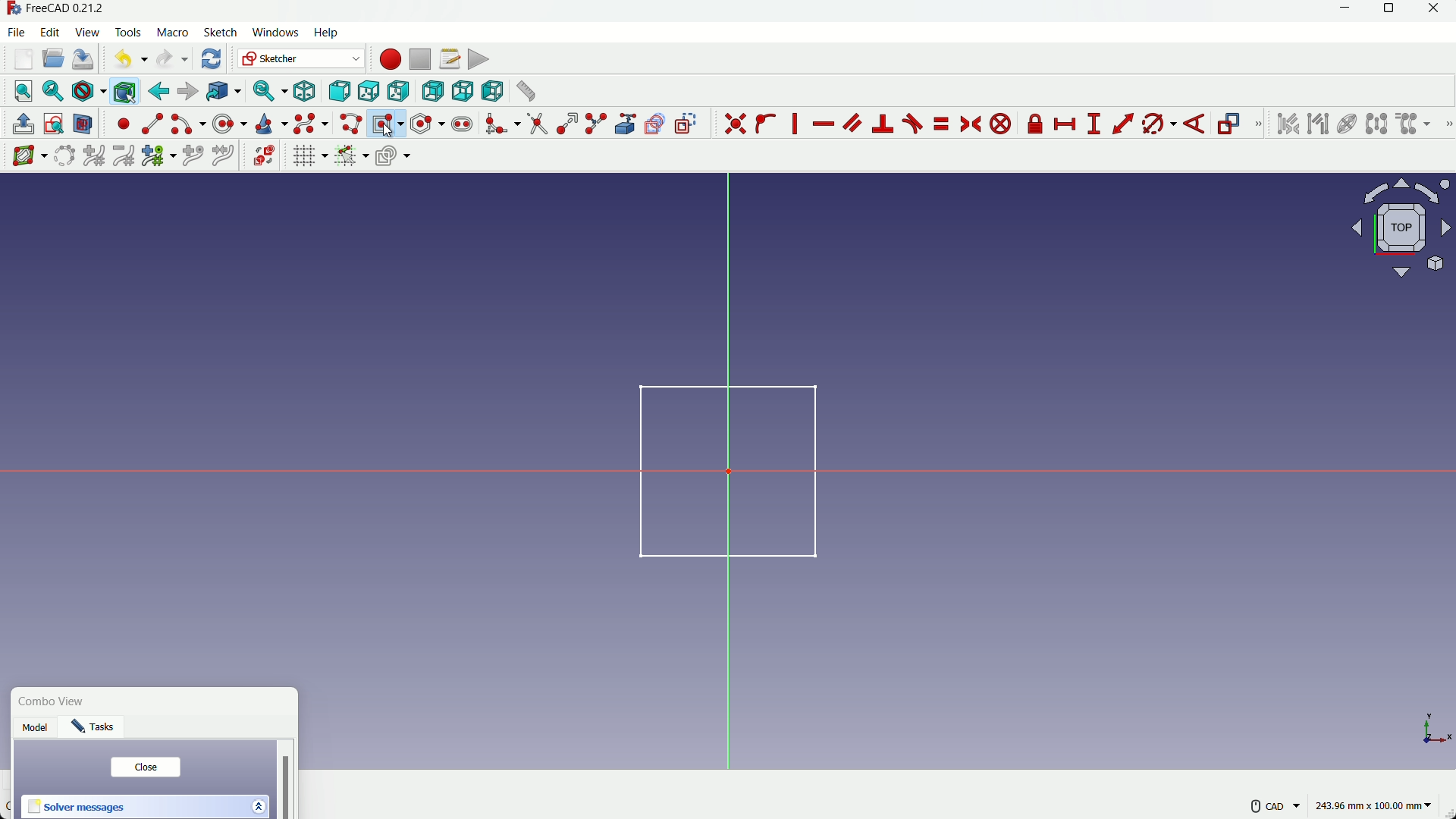 Image resolution: width=1456 pixels, height=819 pixels. Describe the element at coordinates (1276, 806) in the screenshot. I see `more settings` at that location.